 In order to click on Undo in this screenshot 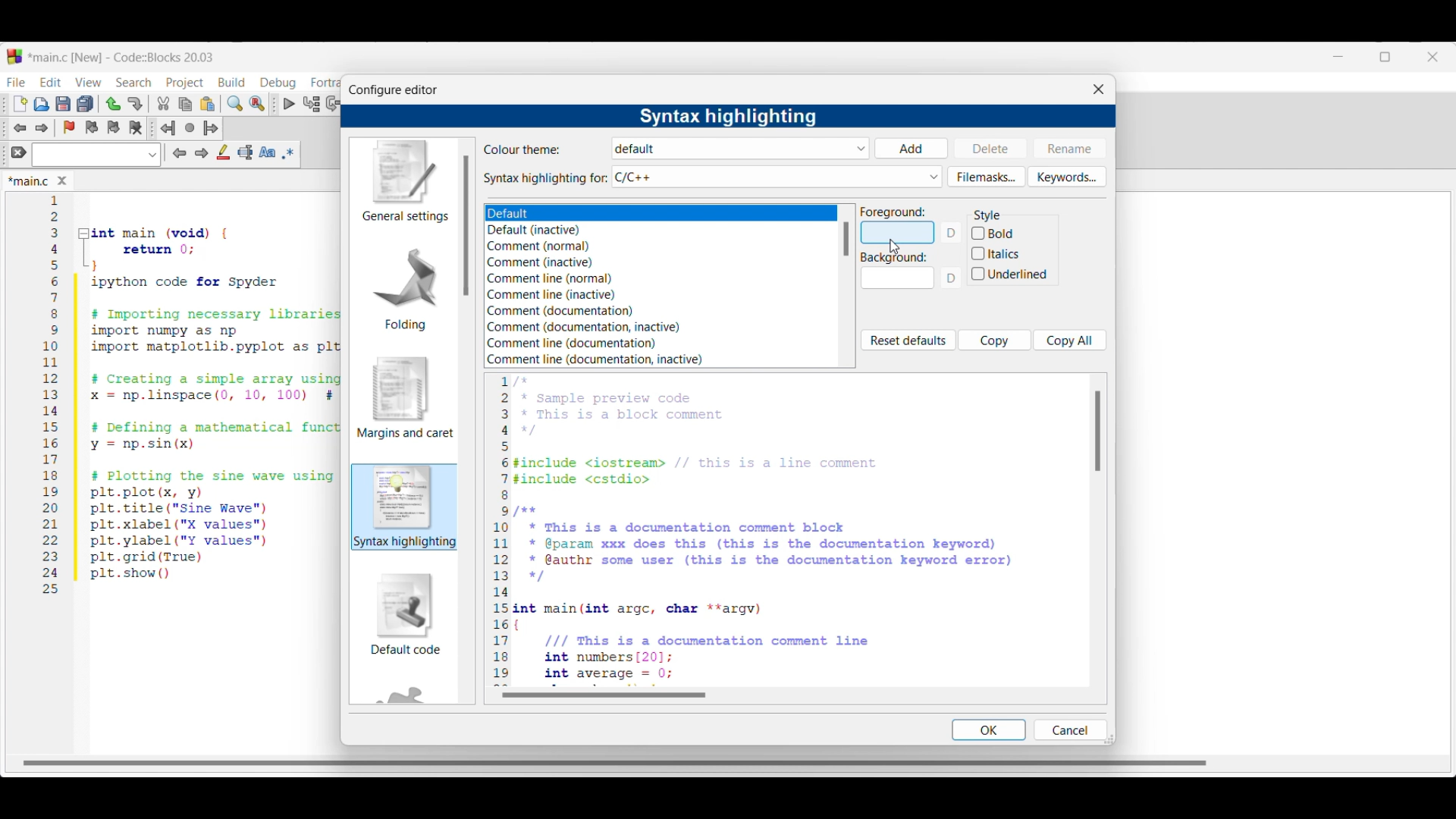, I will do `click(113, 104)`.